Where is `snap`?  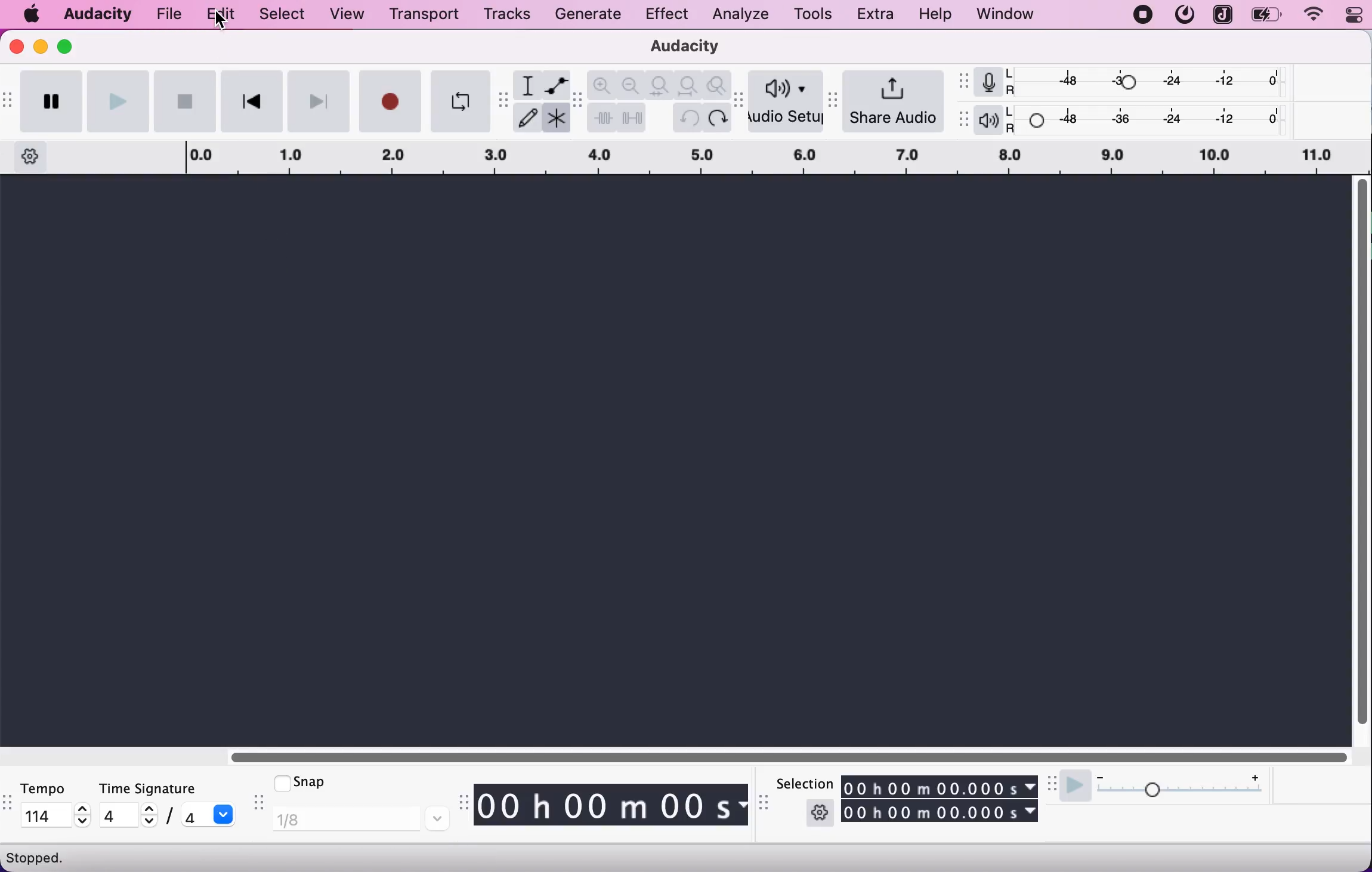
snap is located at coordinates (320, 781).